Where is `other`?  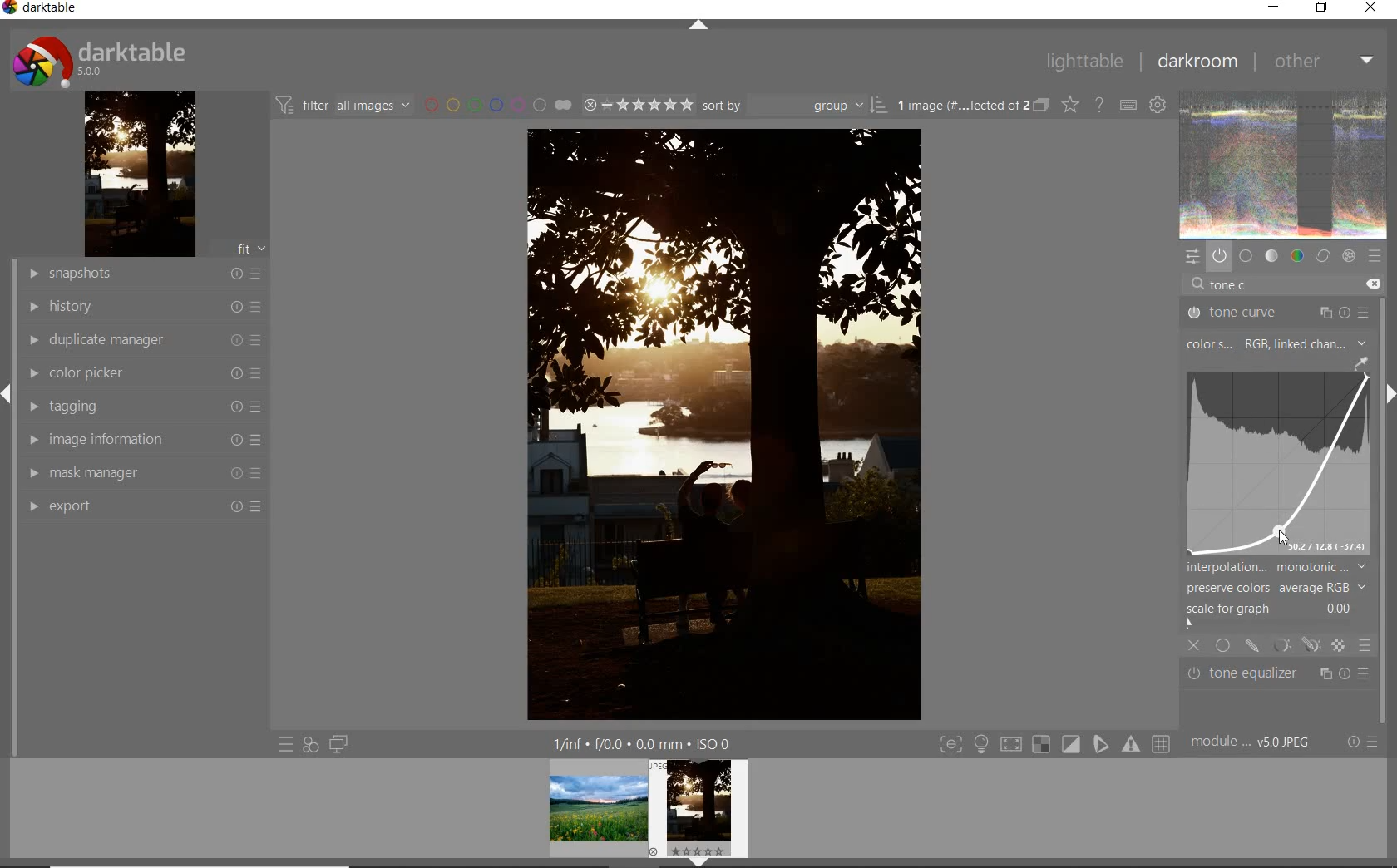 other is located at coordinates (1320, 60).